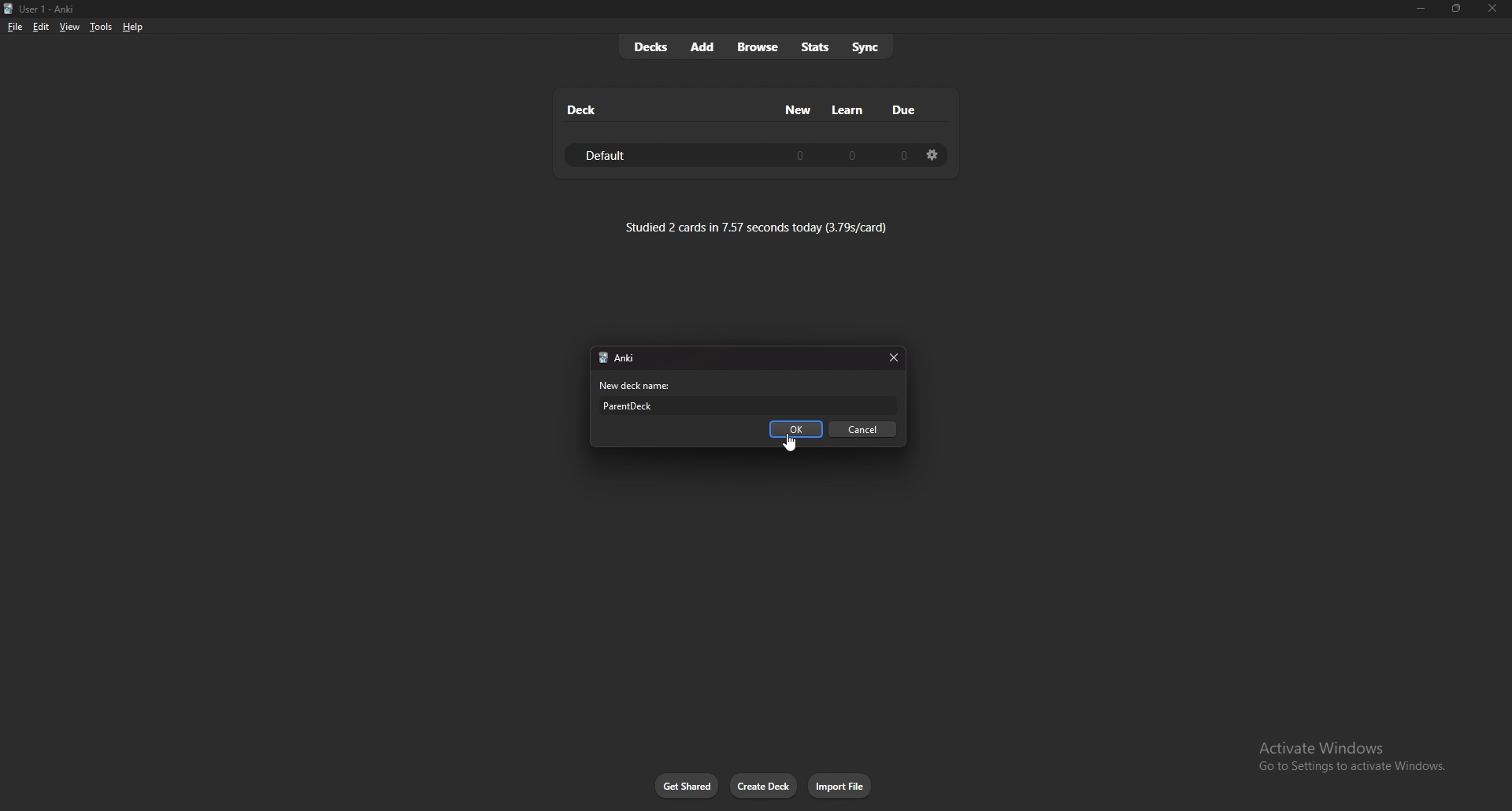  Describe the element at coordinates (932, 154) in the screenshot. I see `deck settings` at that location.